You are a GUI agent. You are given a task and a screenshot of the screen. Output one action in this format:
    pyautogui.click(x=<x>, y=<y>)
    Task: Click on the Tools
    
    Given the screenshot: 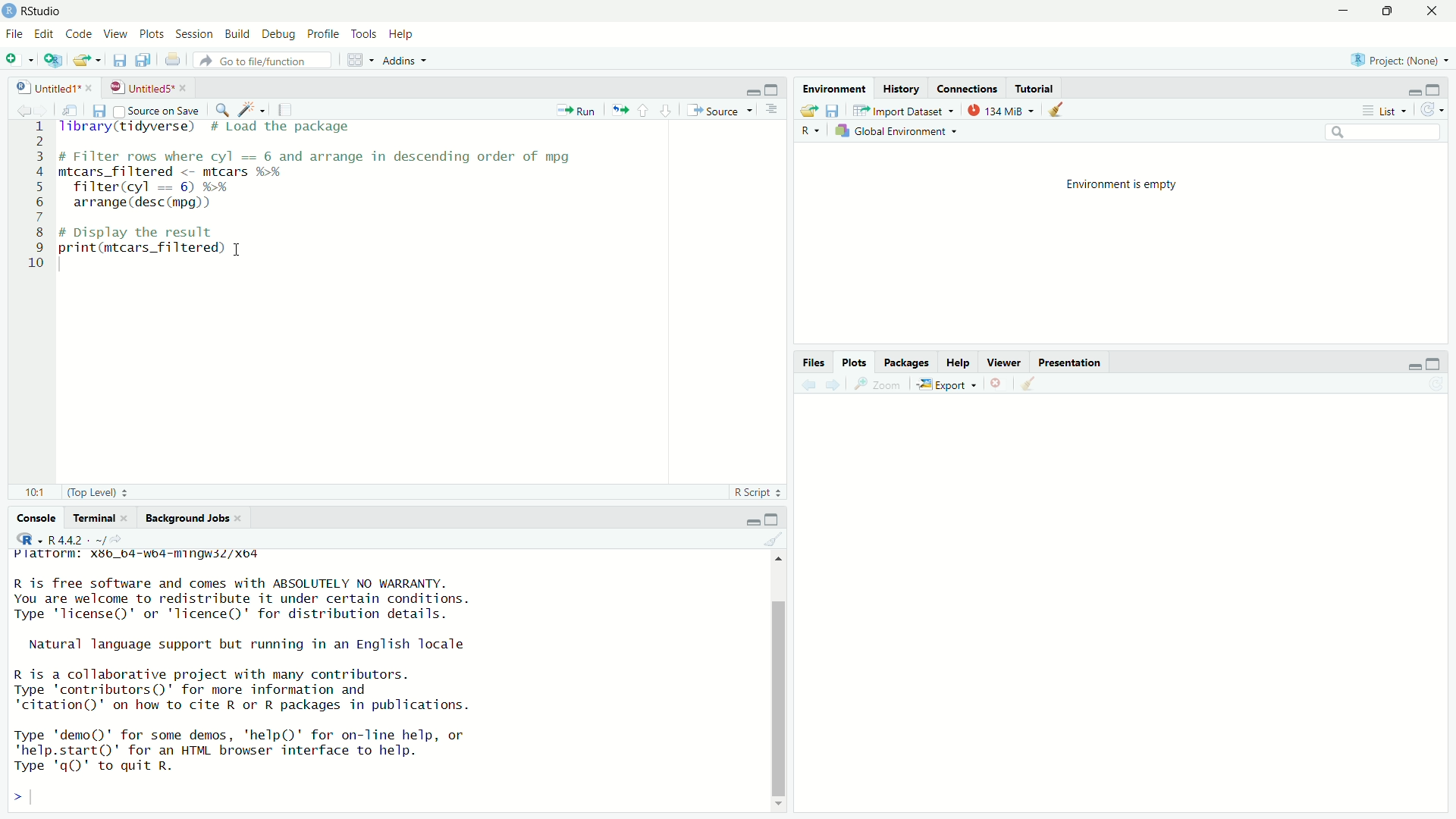 What is the action you would take?
    pyautogui.click(x=363, y=33)
    